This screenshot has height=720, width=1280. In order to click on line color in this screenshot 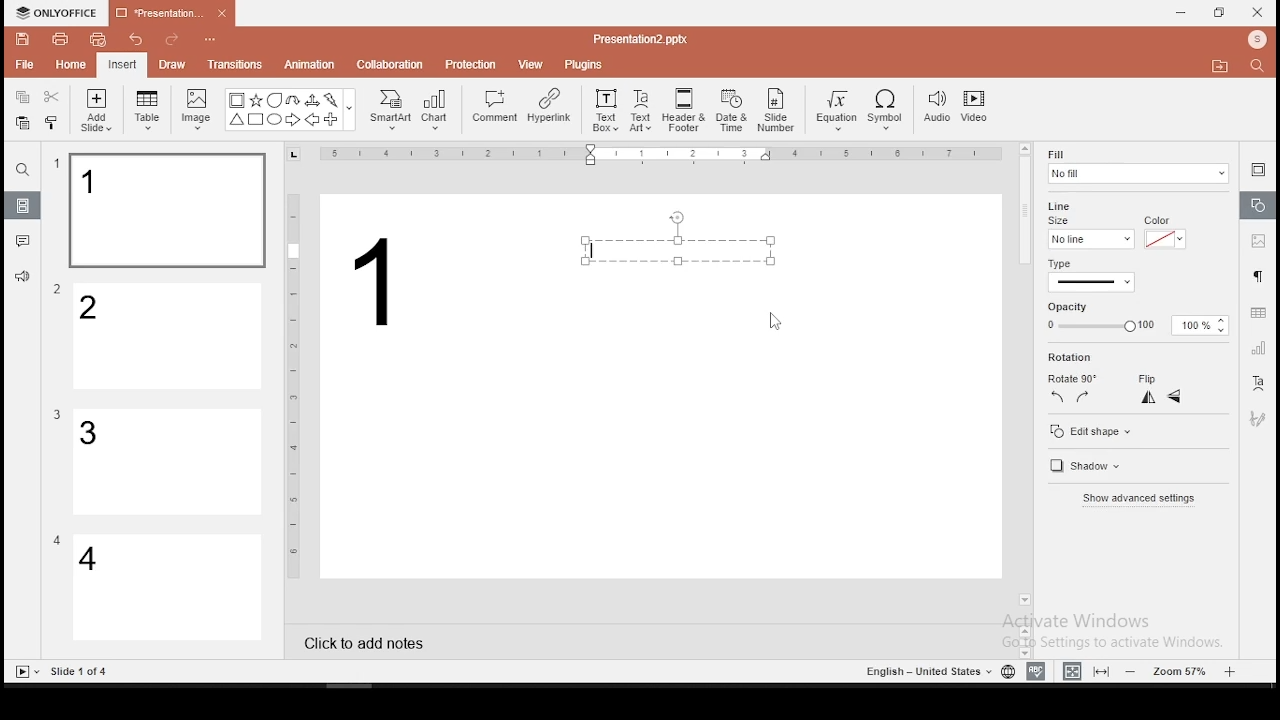, I will do `click(1163, 238)`.